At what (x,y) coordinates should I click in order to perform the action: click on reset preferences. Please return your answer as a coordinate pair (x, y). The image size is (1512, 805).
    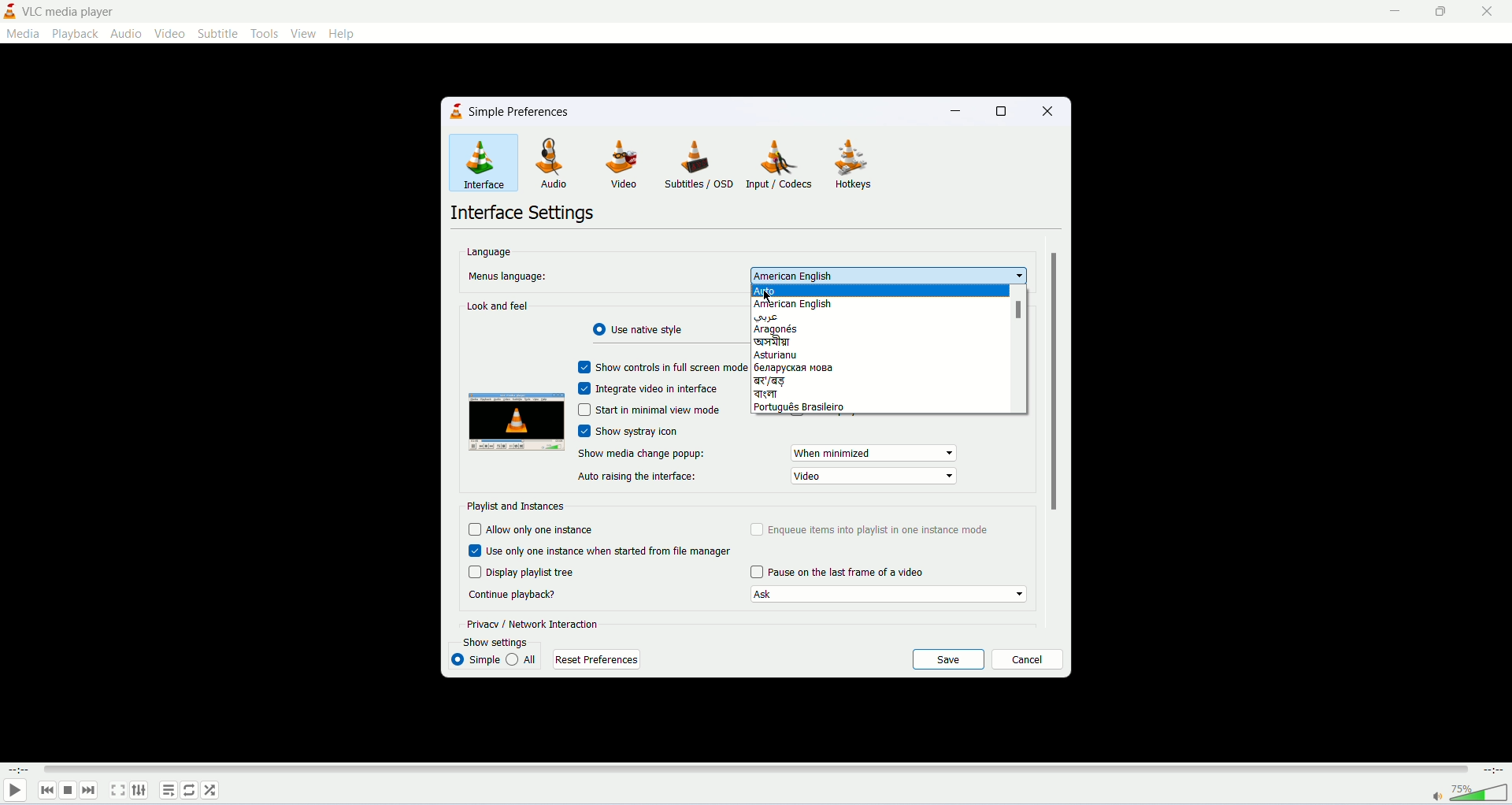
    Looking at the image, I should click on (595, 660).